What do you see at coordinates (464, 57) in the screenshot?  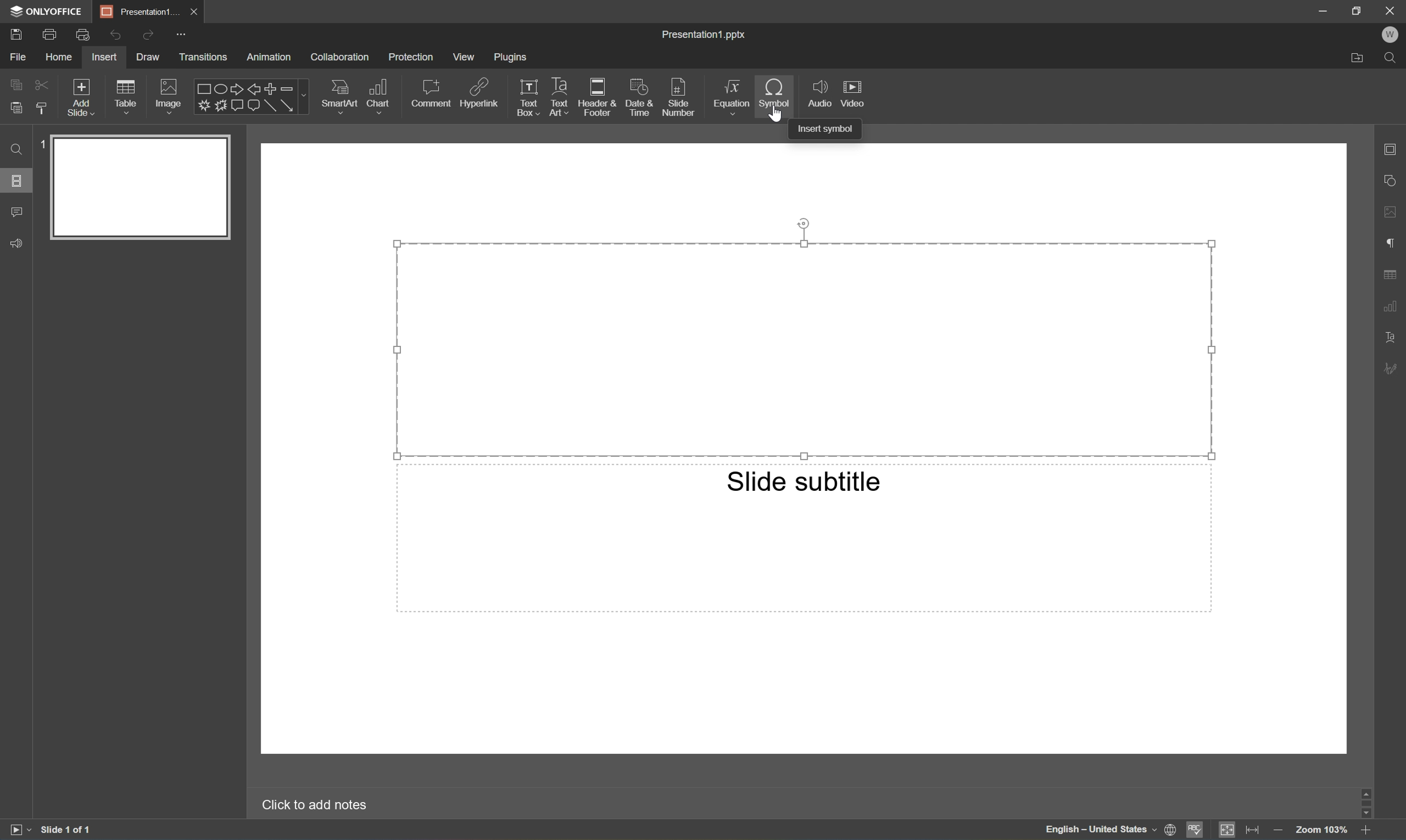 I see `View` at bounding box center [464, 57].